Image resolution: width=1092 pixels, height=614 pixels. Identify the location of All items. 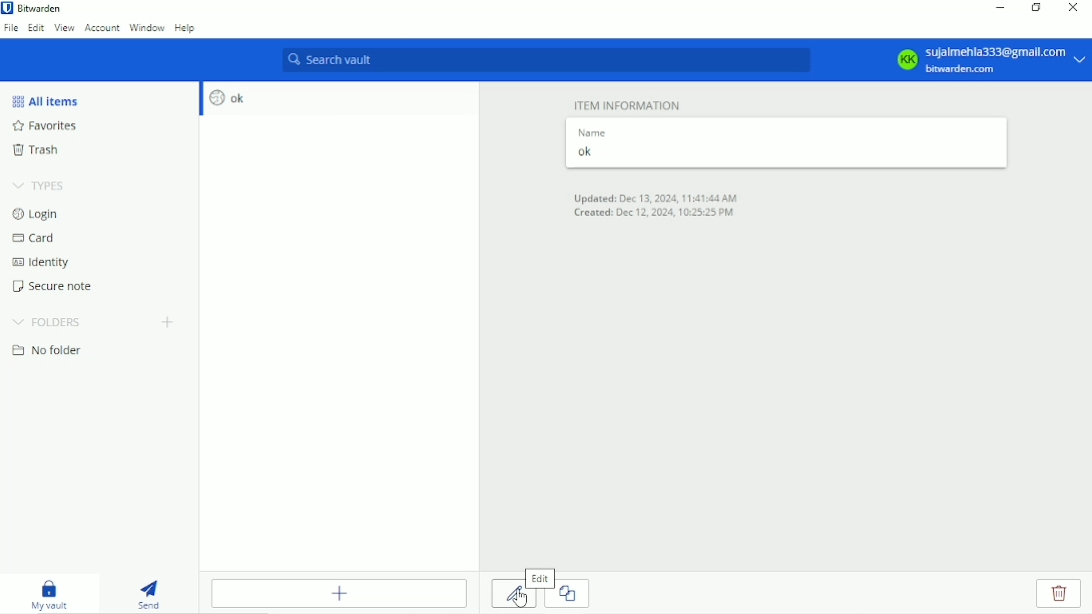
(44, 101).